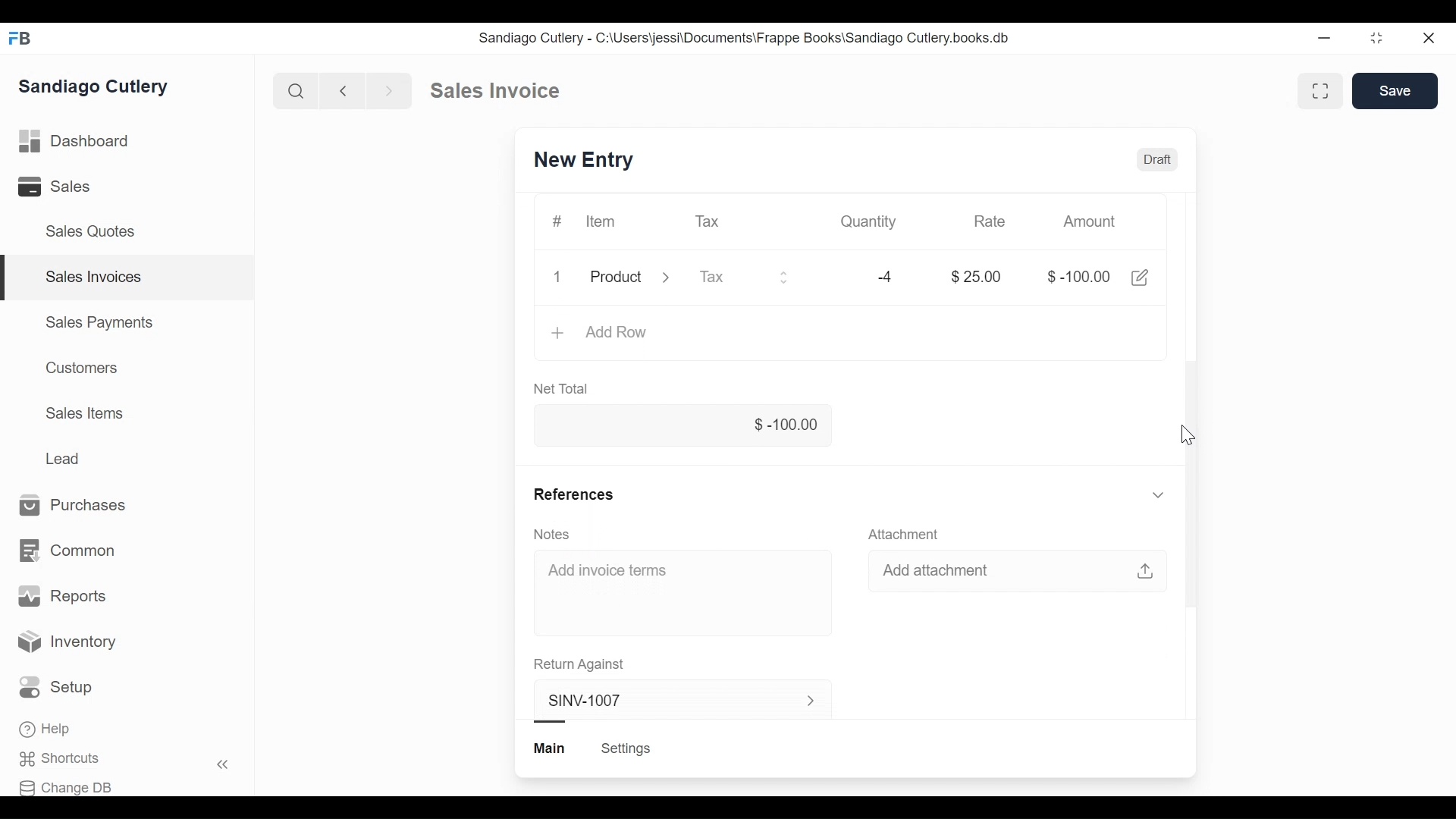 The image size is (1456, 819). I want to click on Add attachment, so click(1021, 573).